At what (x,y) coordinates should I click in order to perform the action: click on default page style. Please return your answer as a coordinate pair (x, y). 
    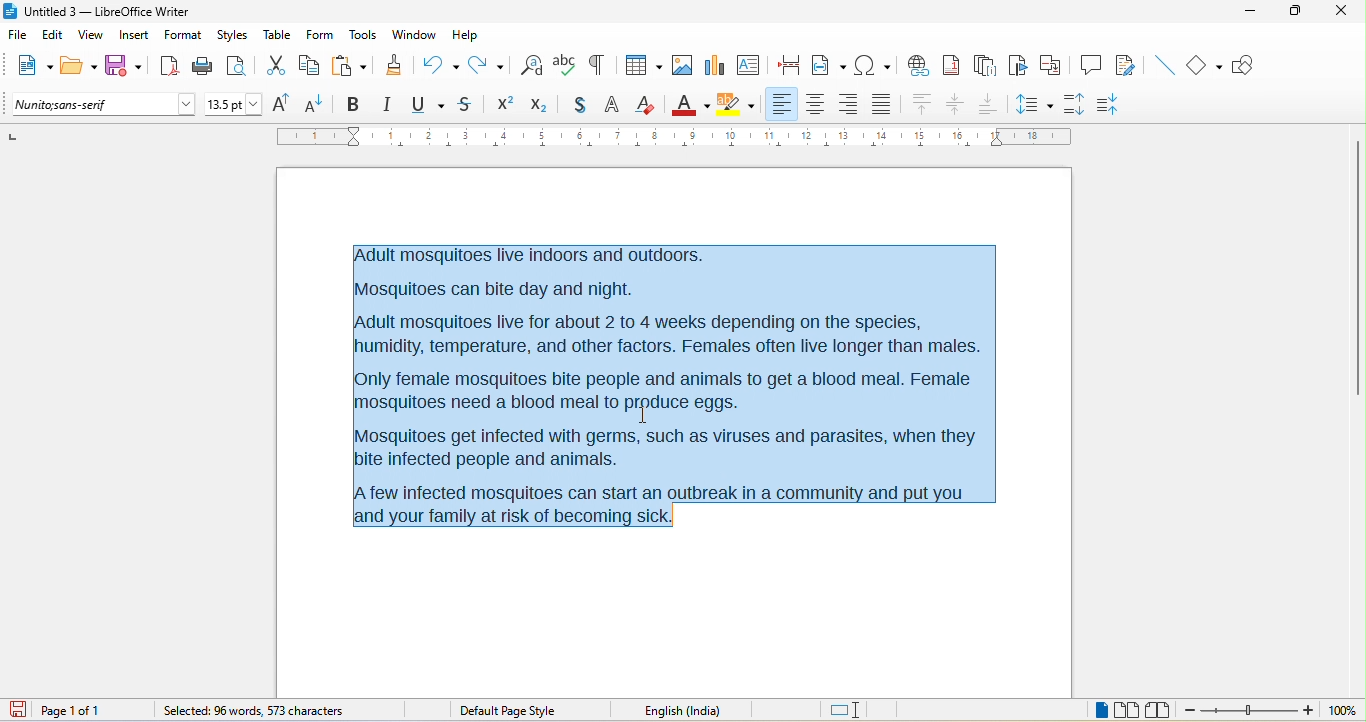
    Looking at the image, I should click on (509, 710).